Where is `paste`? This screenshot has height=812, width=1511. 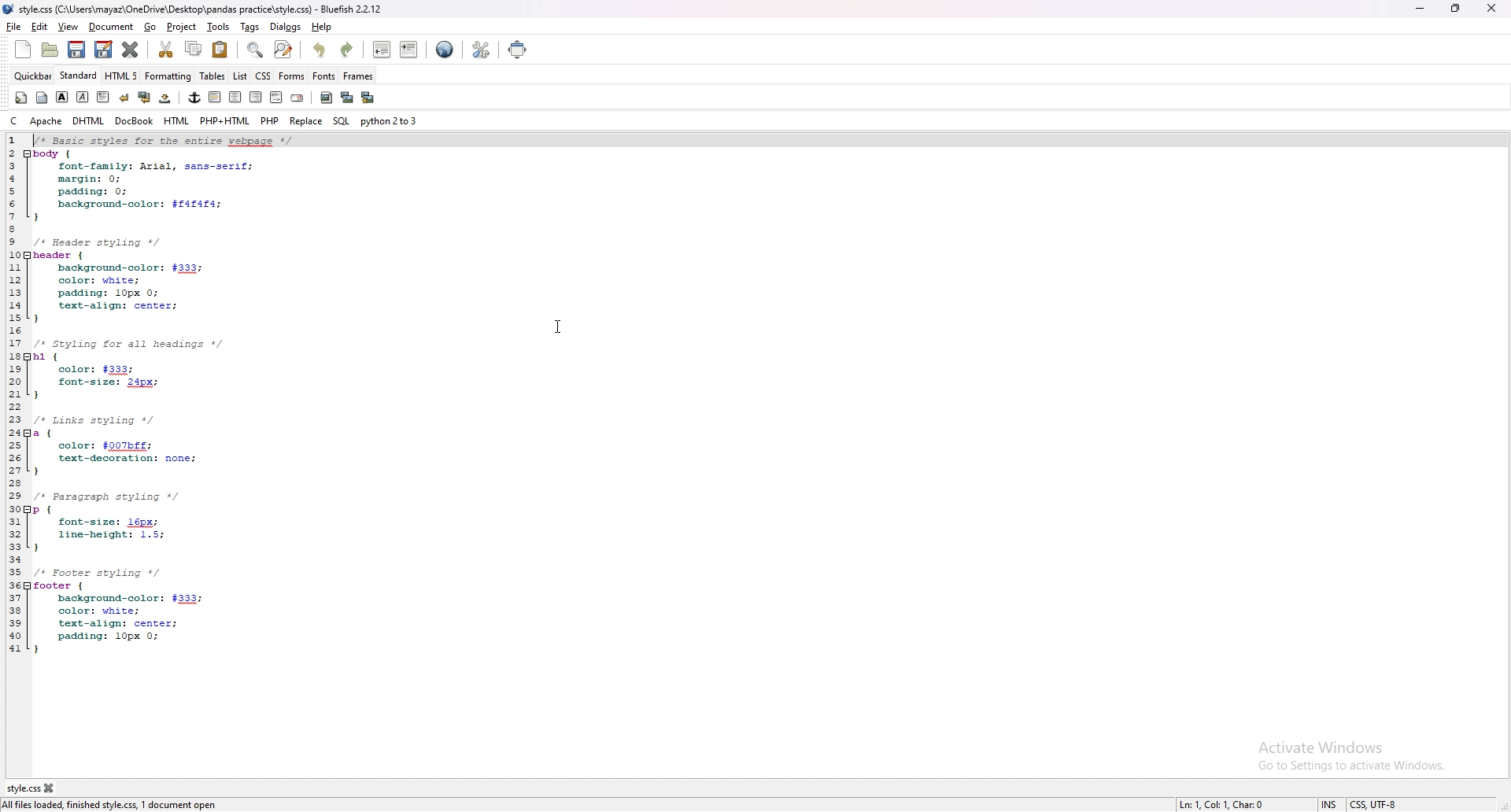 paste is located at coordinates (221, 49).